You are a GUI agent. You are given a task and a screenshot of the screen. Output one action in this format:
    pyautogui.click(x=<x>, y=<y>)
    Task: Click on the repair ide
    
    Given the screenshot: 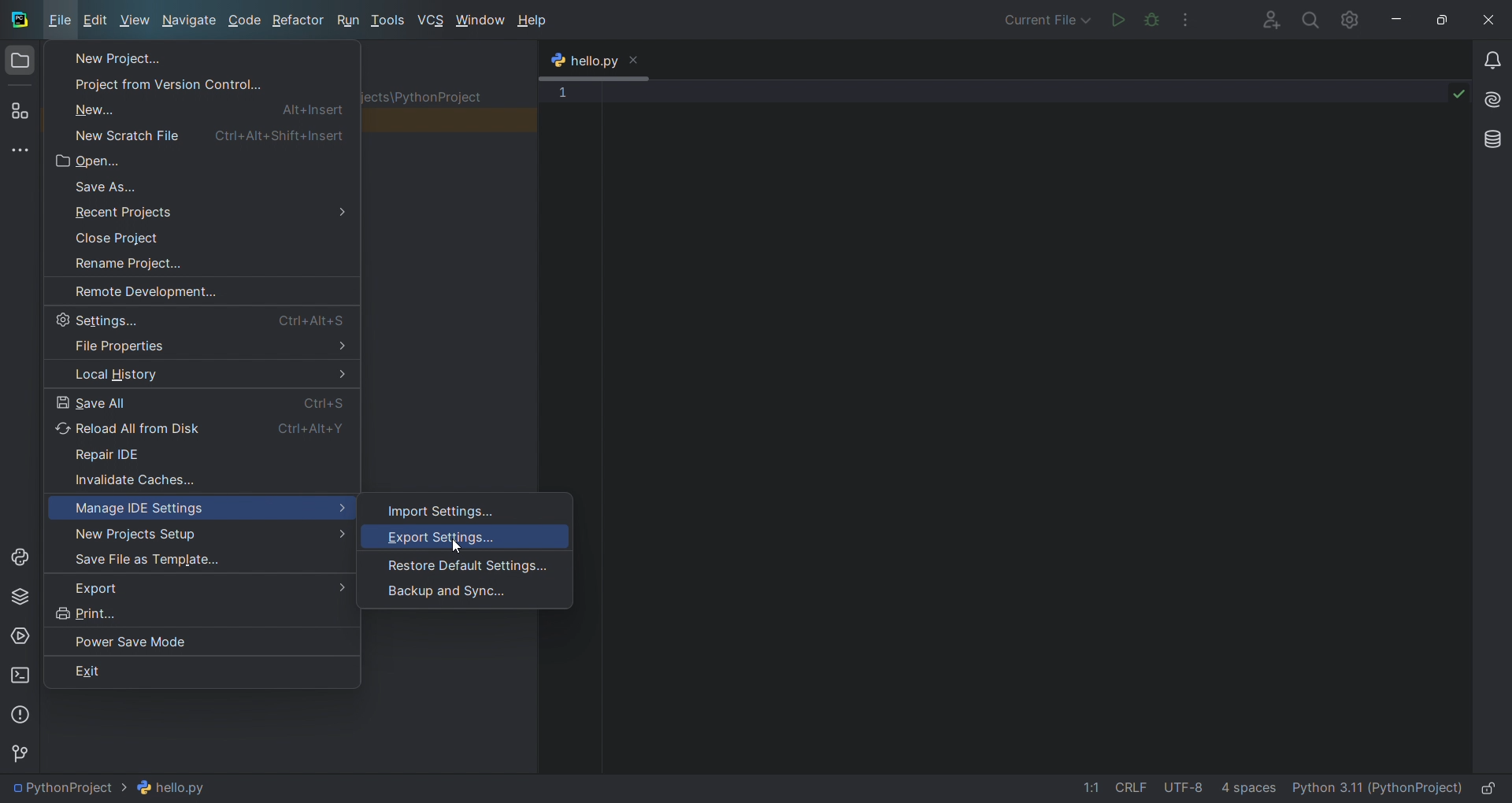 What is the action you would take?
    pyautogui.click(x=205, y=452)
    